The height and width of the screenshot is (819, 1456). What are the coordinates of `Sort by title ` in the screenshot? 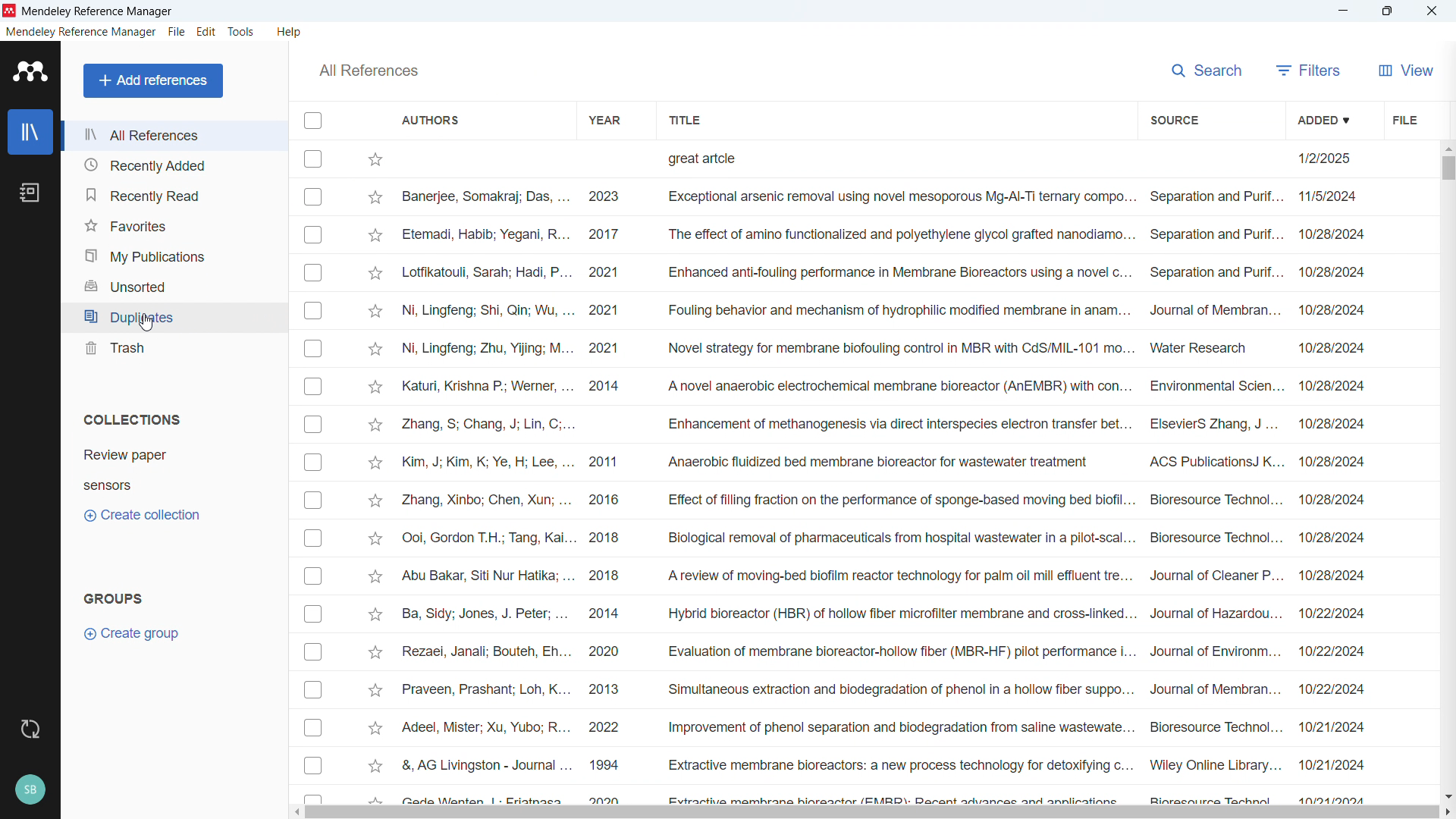 It's located at (684, 119).